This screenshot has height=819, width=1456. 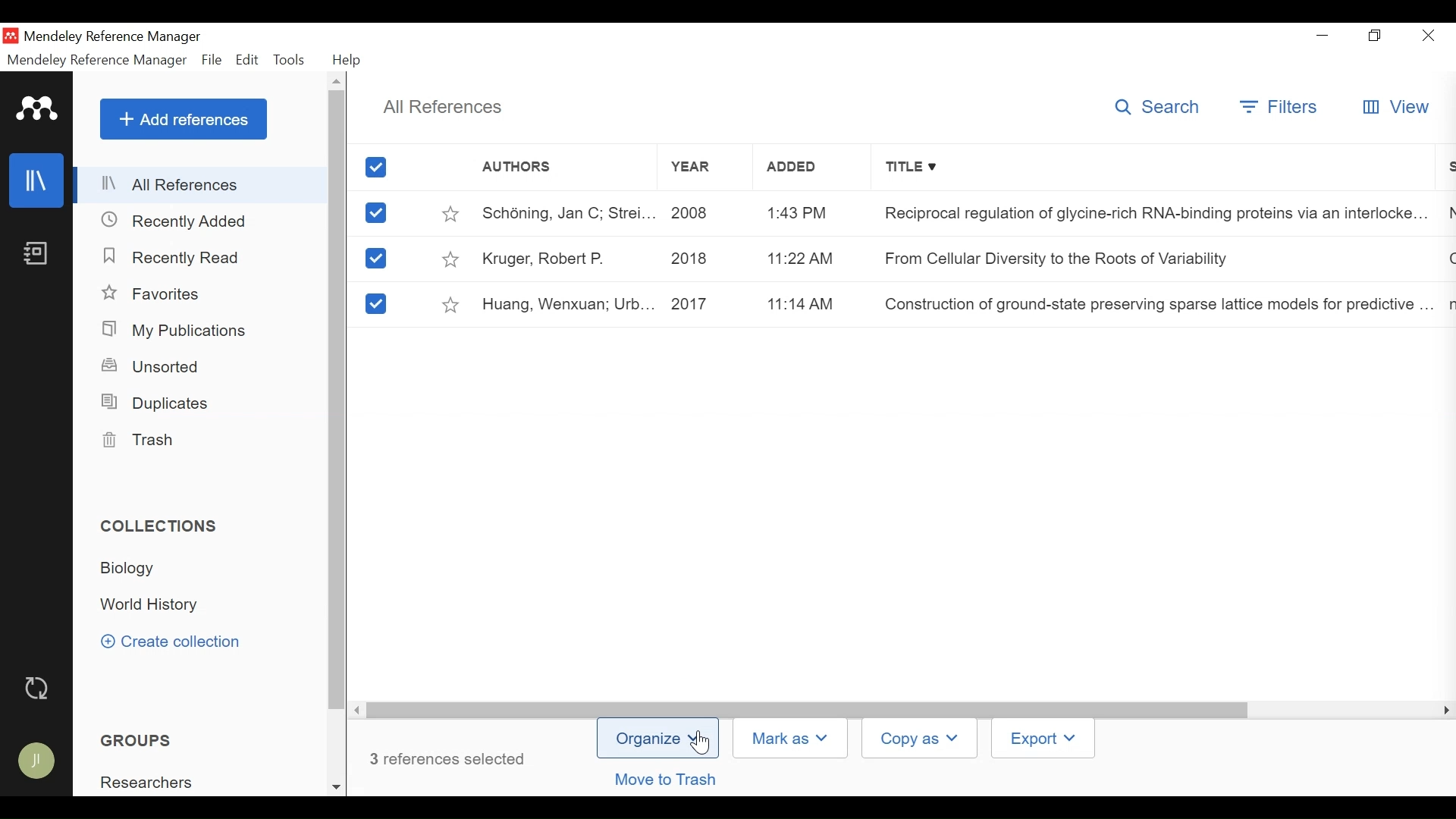 What do you see at coordinates (704, 745) in the screenshot?
I see `Cursor` at bounding box center [704, 745].